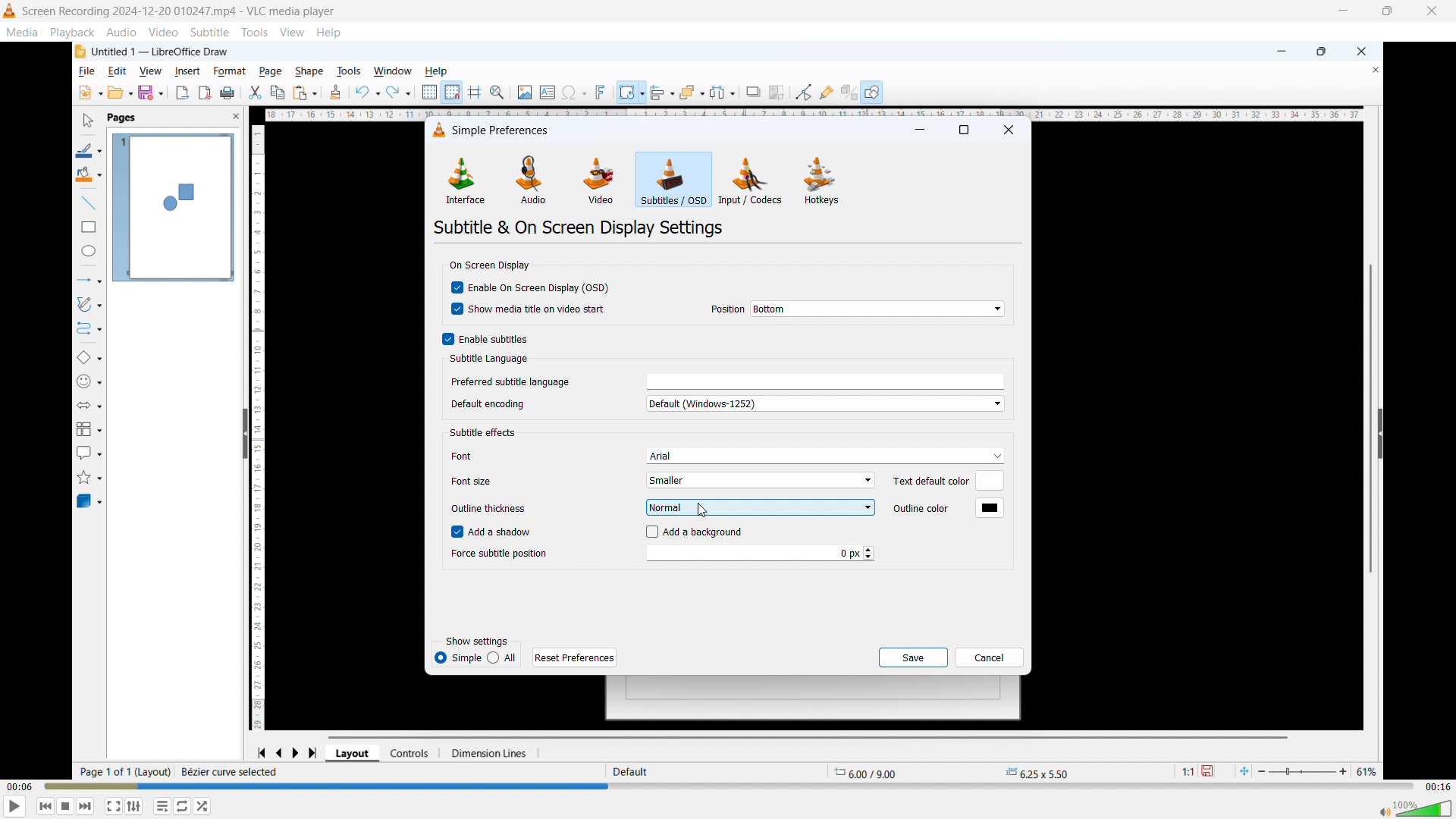 The width and height of the screenshot is (1456, 819). Describe the element at coordinates (162, 33) in the screenshot. I see `Video ` at that location.